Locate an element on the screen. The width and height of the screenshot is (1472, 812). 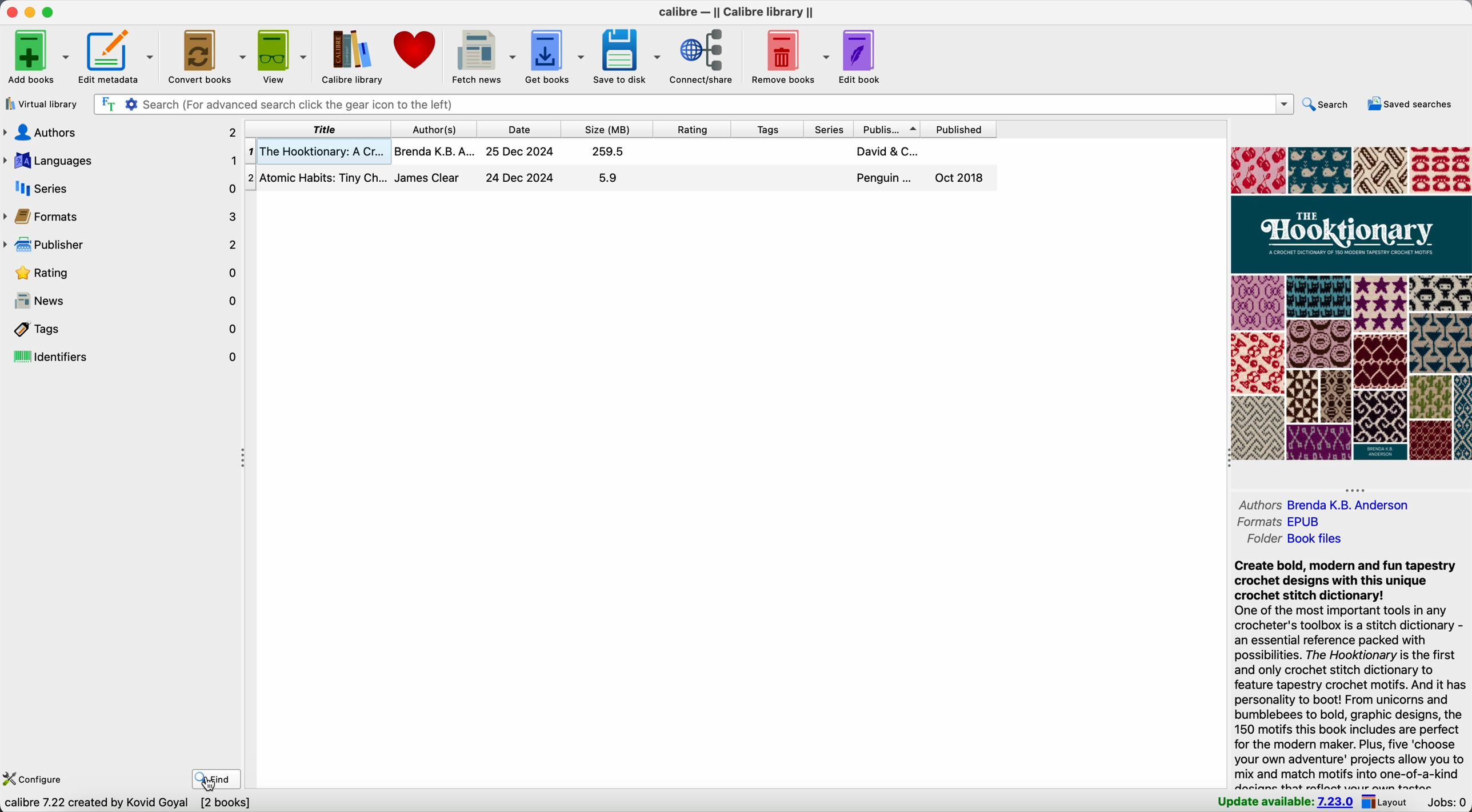
saved searches is located at coordinates (1411, 104).